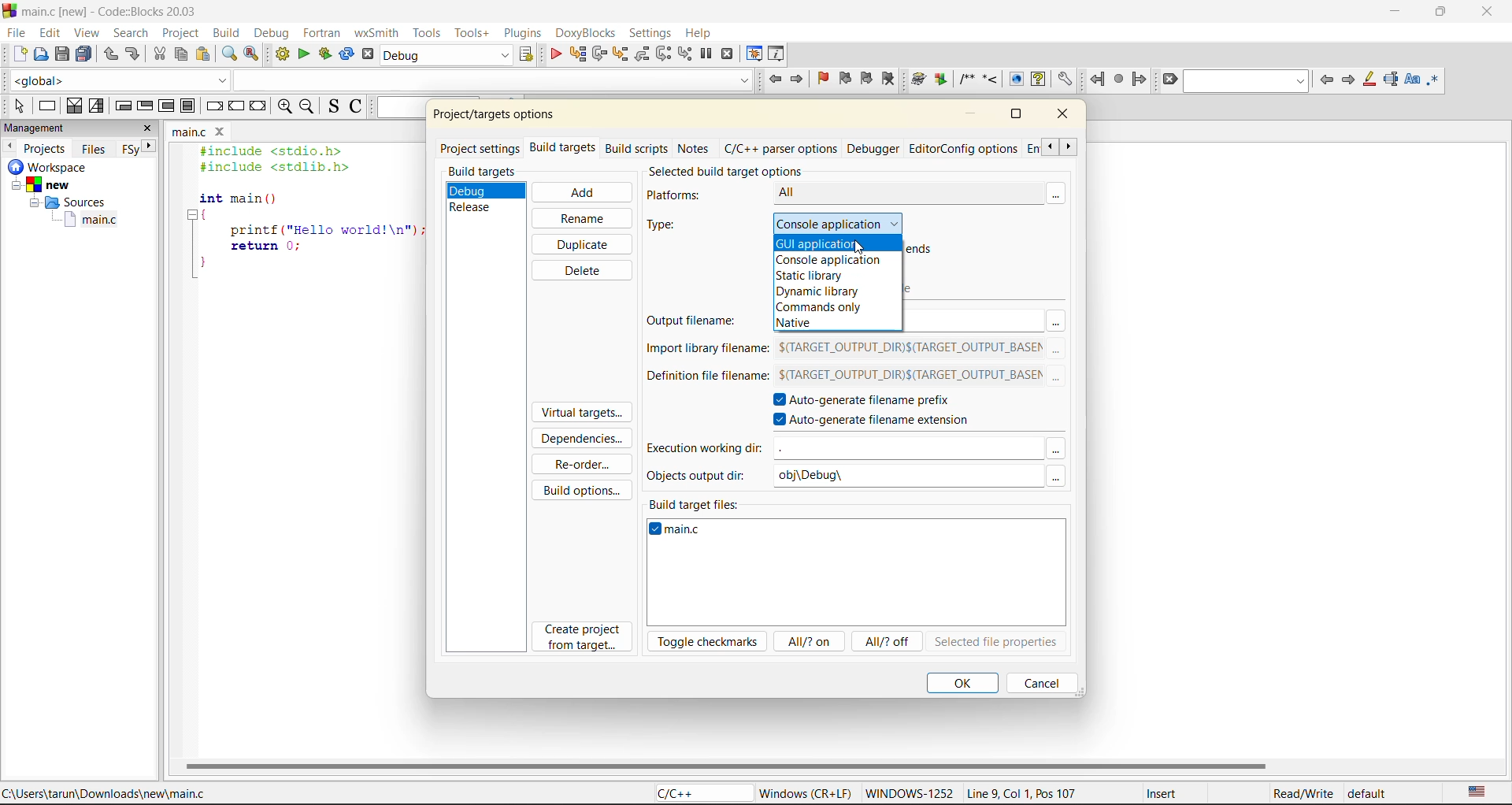 The height and width of the screenshot is (805, 1512). Describe the element at coordinates (885, 640) in the screenshot. I see `all/?off` at that location.